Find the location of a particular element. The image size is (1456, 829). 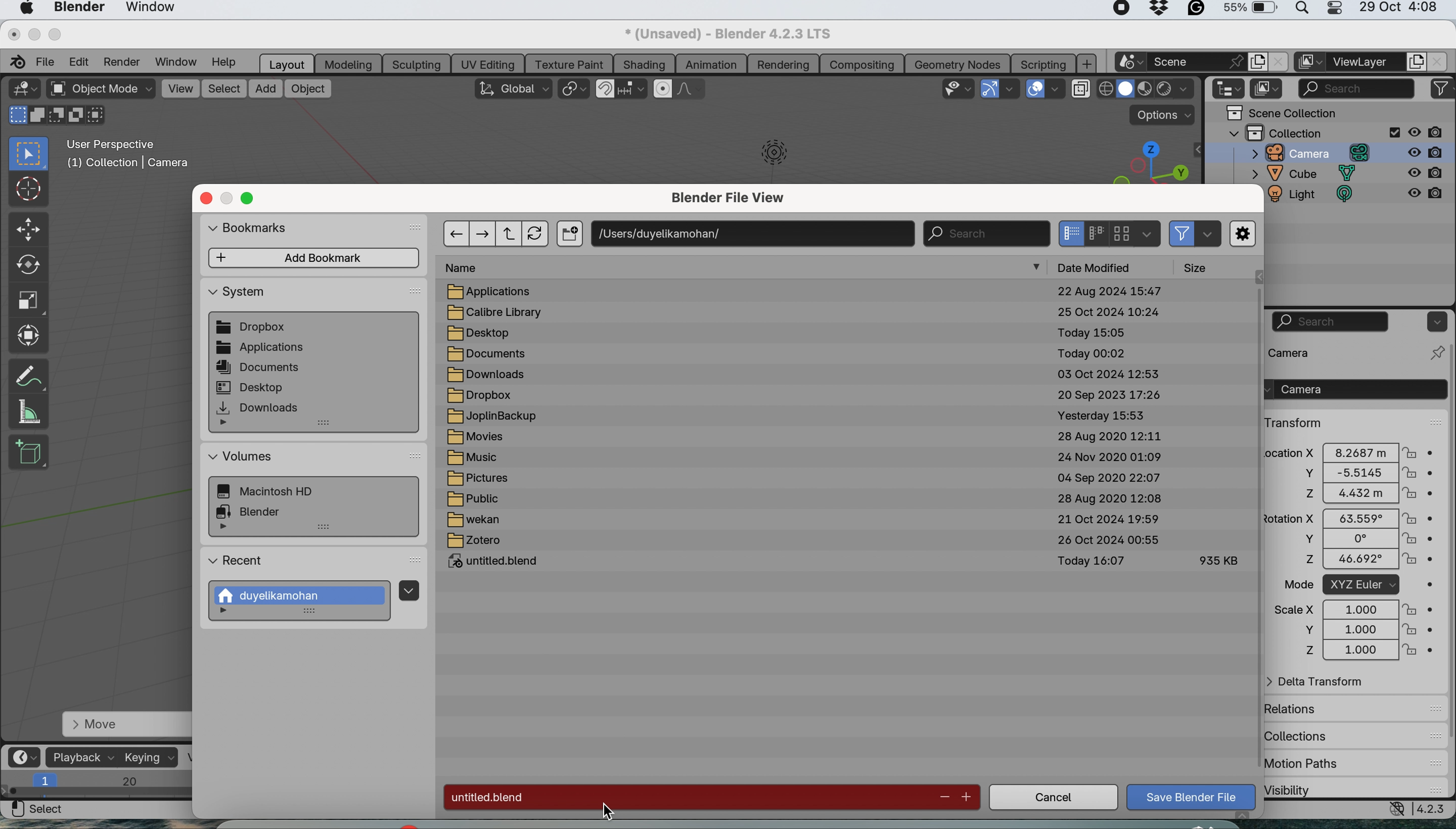

add bookmark is located at coordinates (315, 258).